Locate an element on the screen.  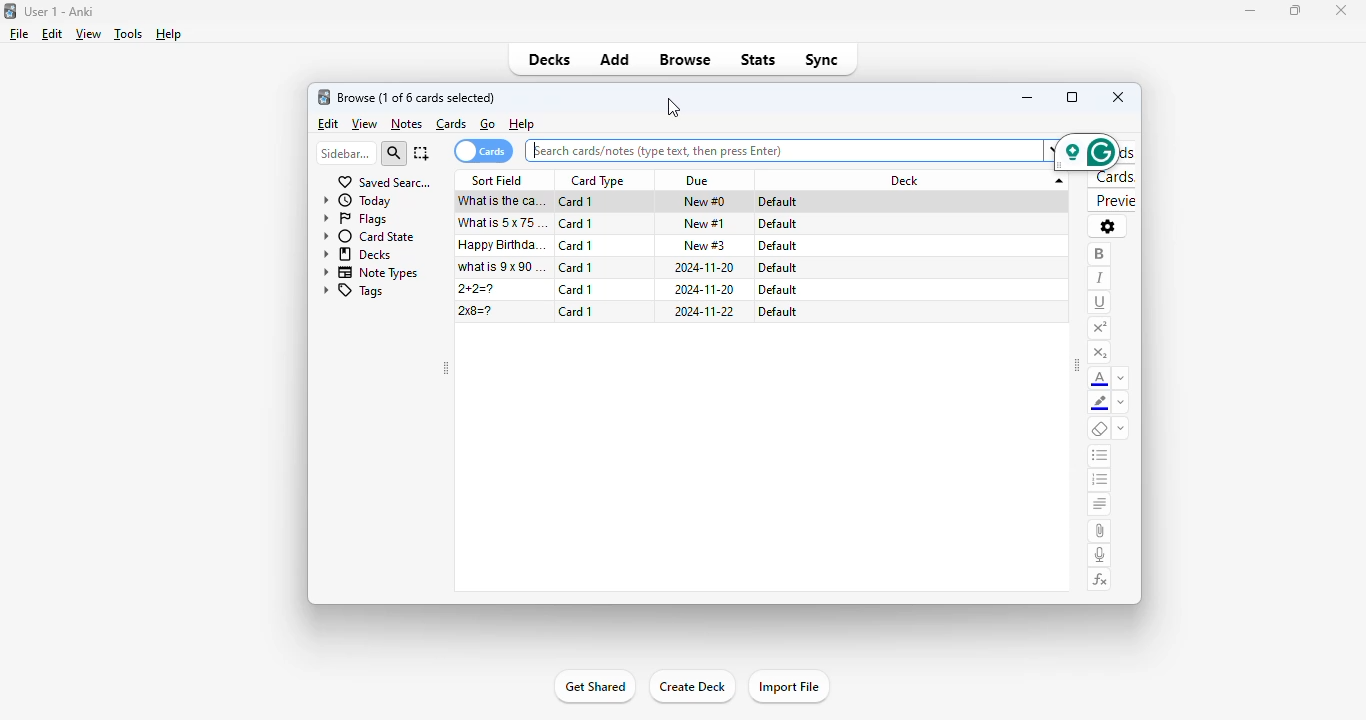
equations is located at coordinates (1100, 580).